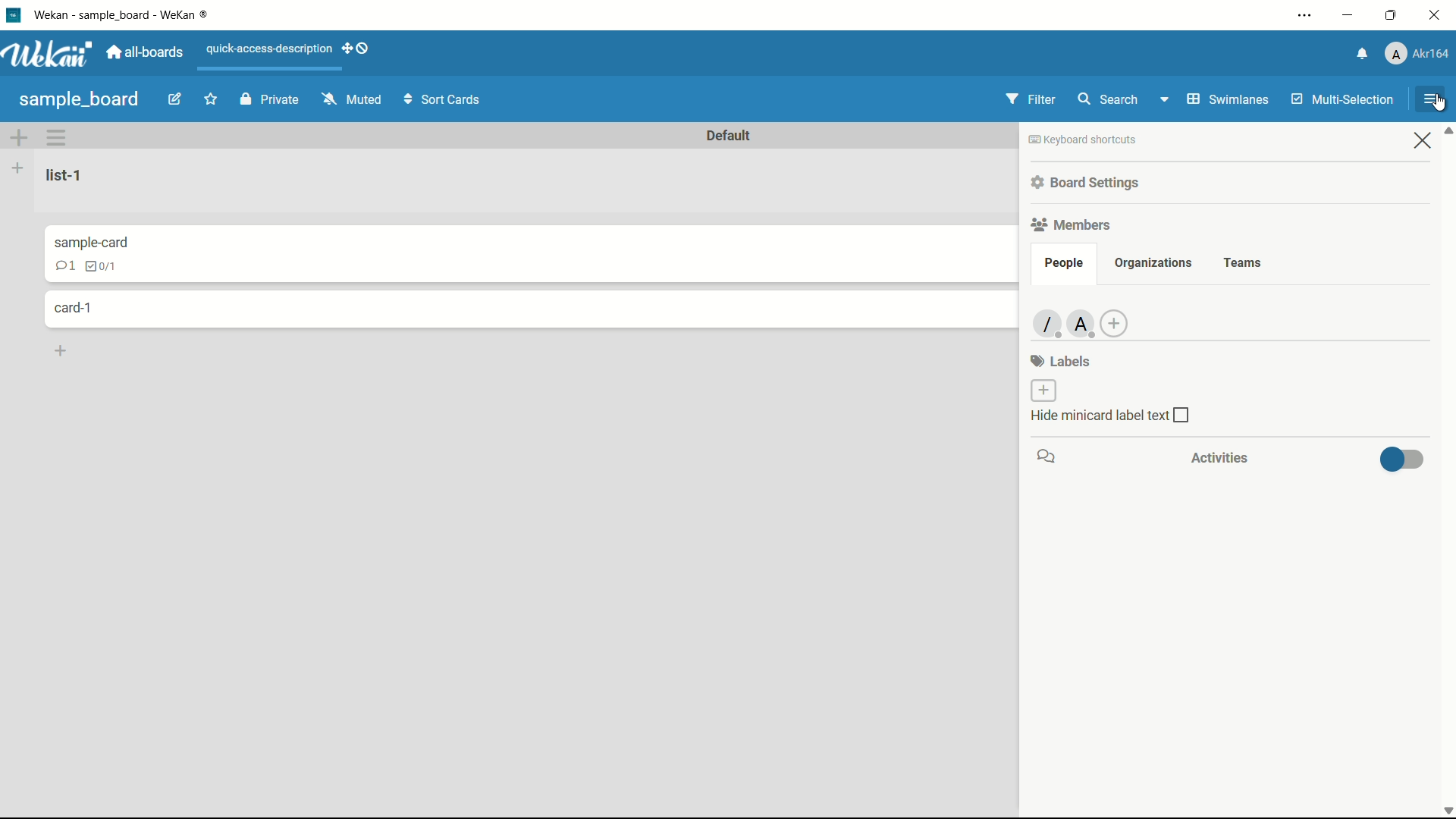 The width and height of the screenshot is (1456, 819). I want to click on card-1, so click(80, 307).